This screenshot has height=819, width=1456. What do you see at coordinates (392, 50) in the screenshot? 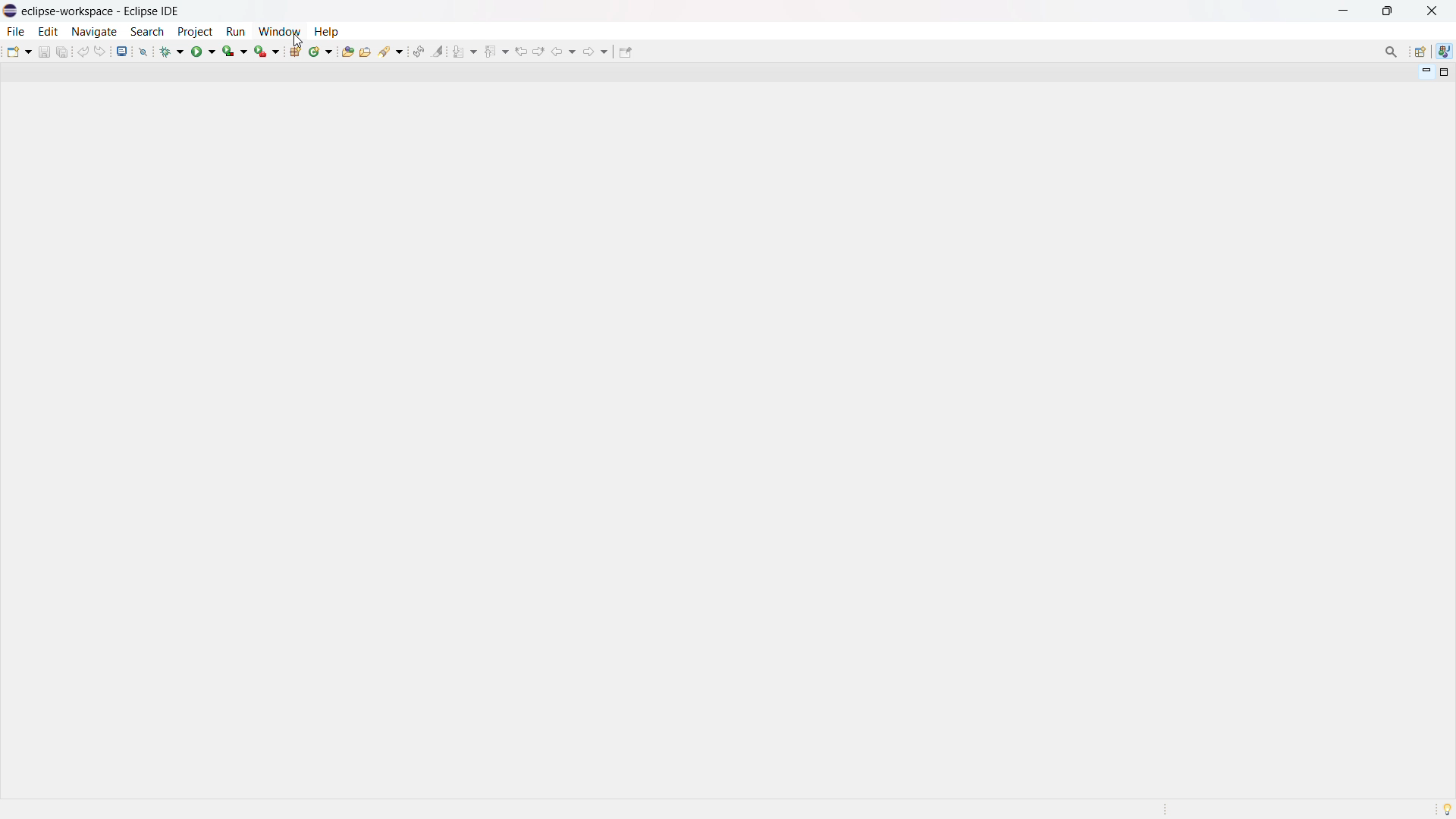
I see `search` at bounding box center [392, 50].